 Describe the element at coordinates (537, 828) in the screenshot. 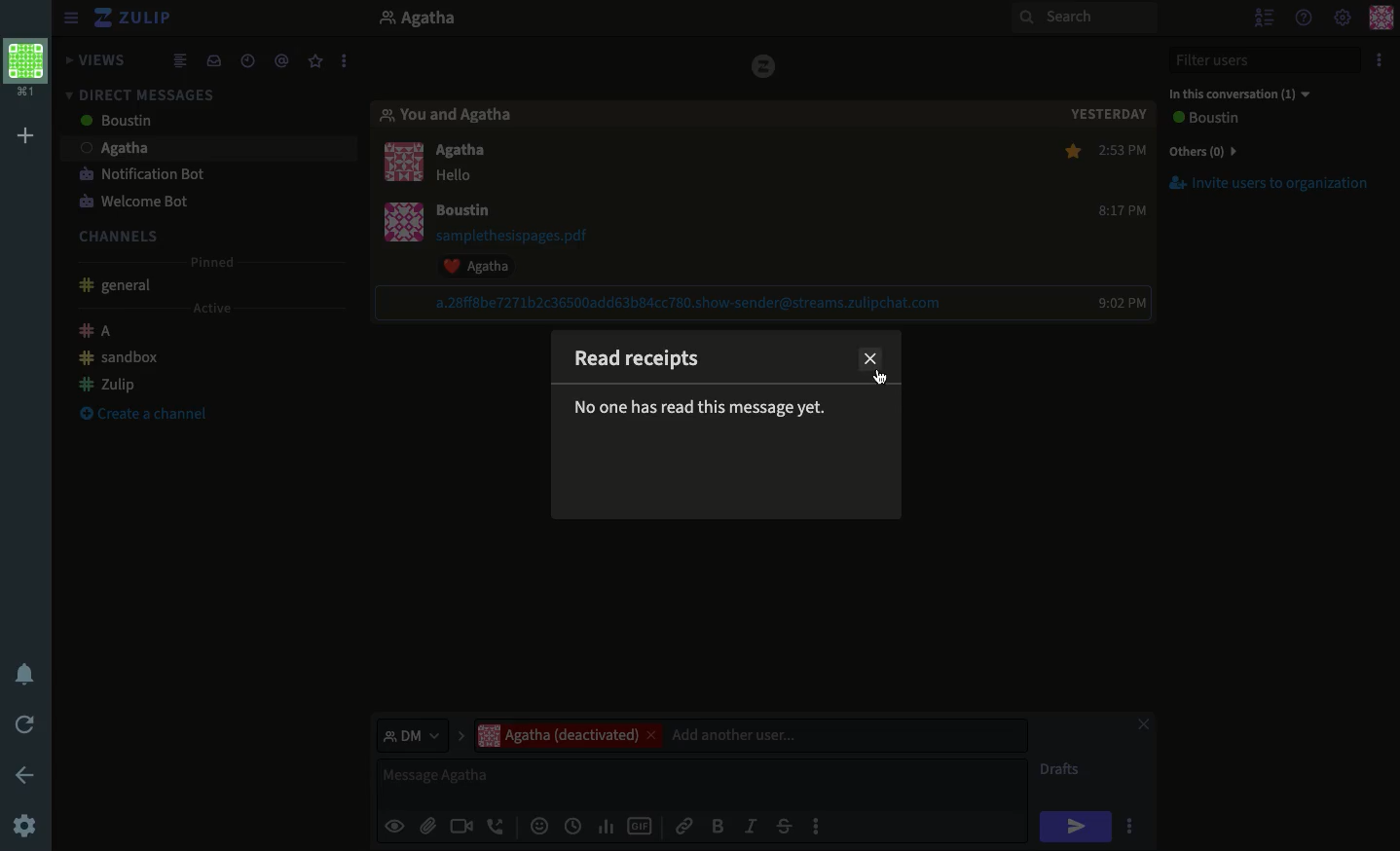

I see `Reaction` at that location.